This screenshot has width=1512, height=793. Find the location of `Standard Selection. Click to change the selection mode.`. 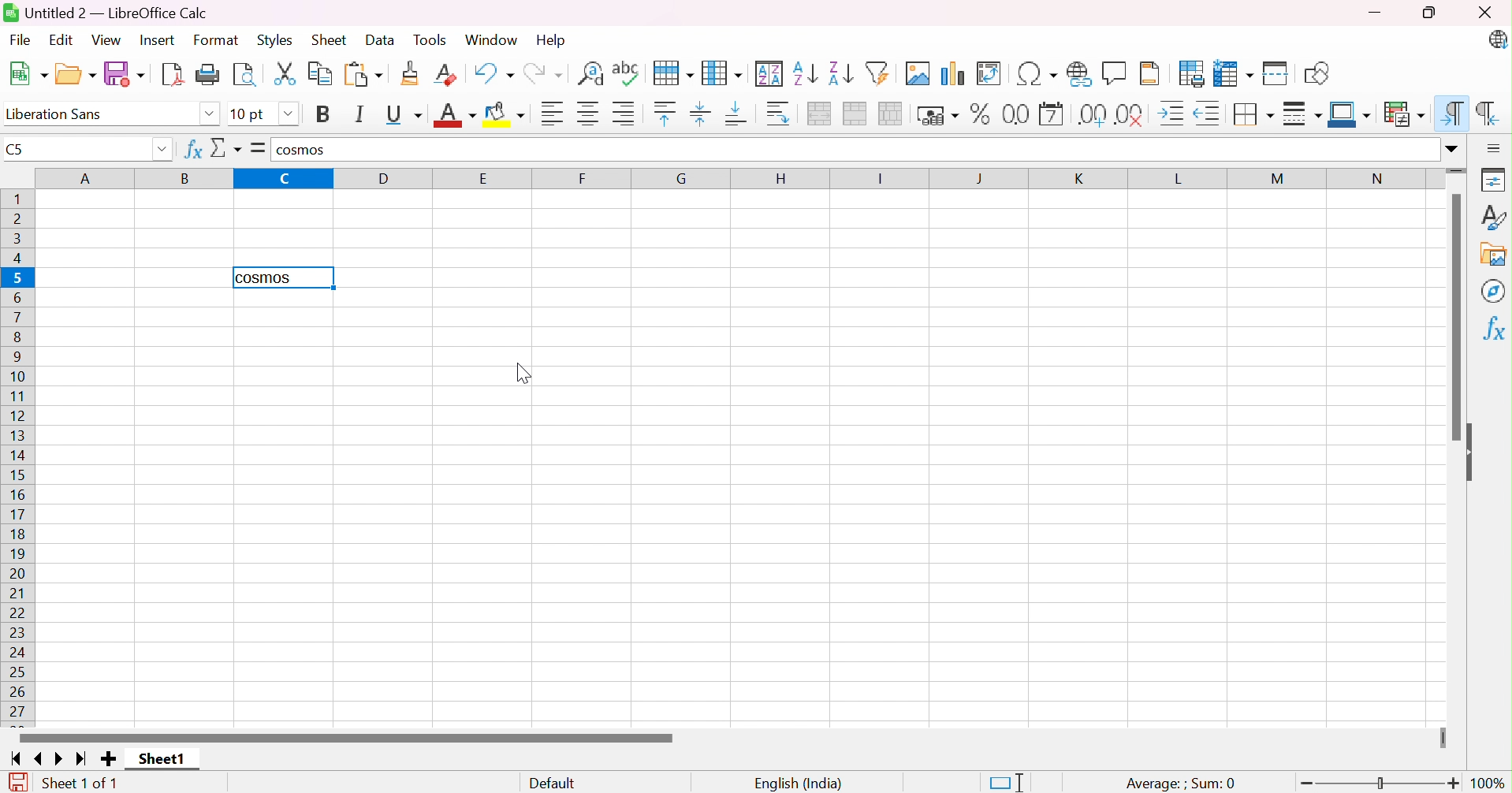

Standard Selection. Click to change the selection mode. is located at coordinates (1011, 782).